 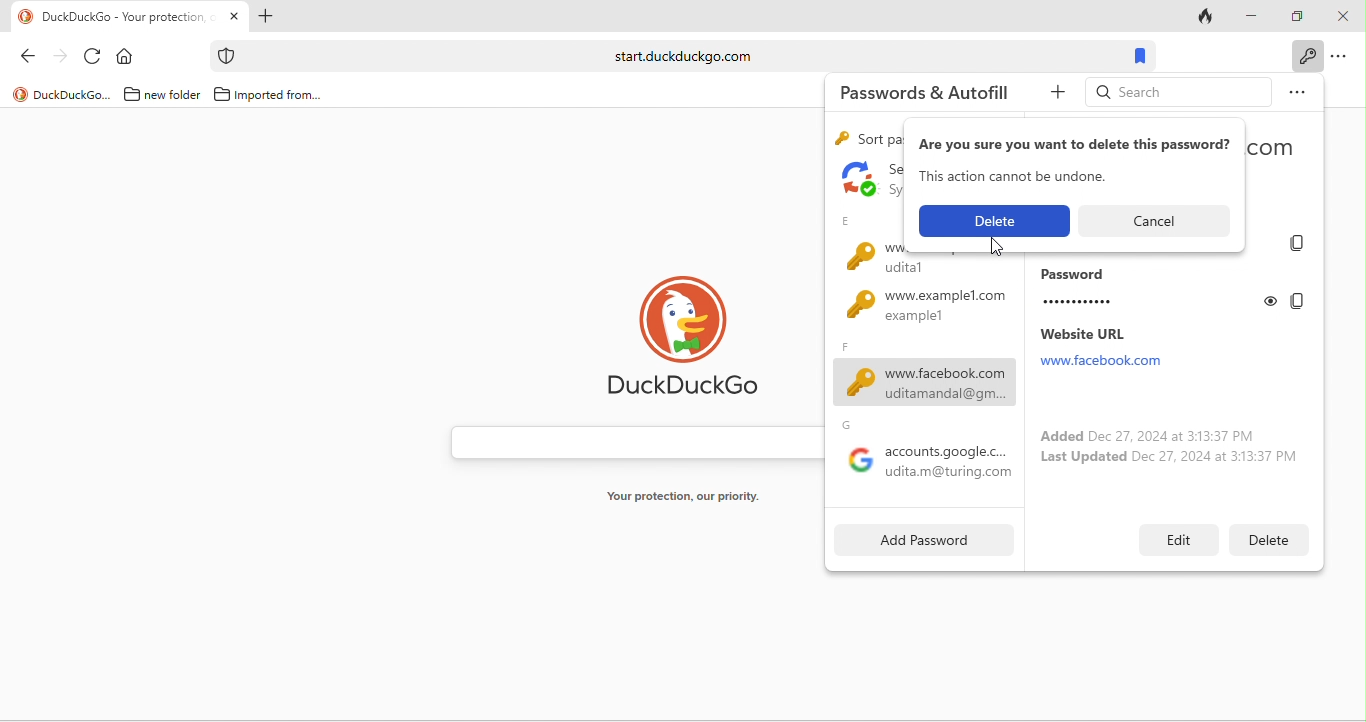 I want to click on E, so click(x=846, y=221).